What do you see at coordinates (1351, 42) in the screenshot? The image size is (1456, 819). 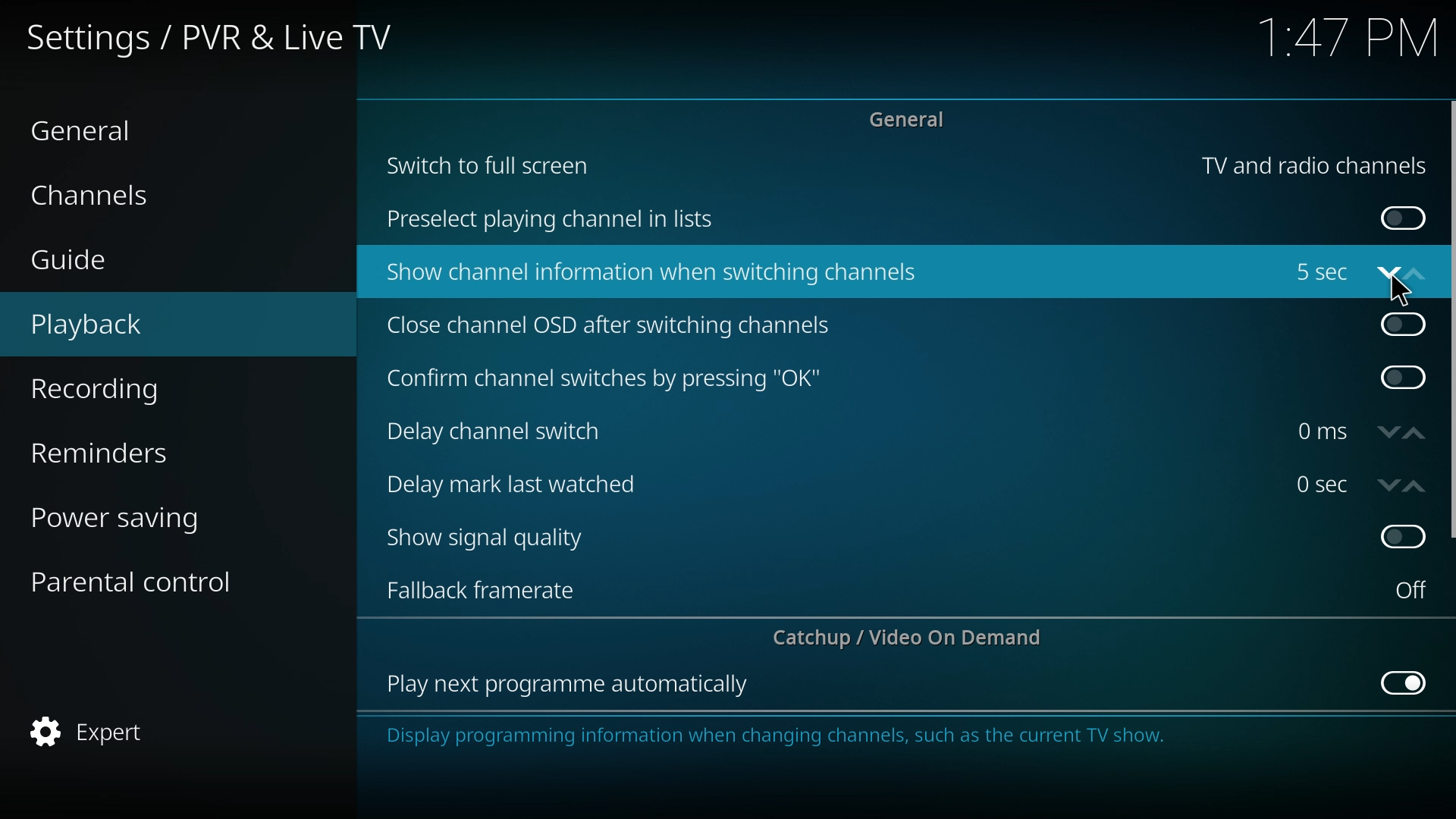 I see `time` at bounding box center [1351, 42].